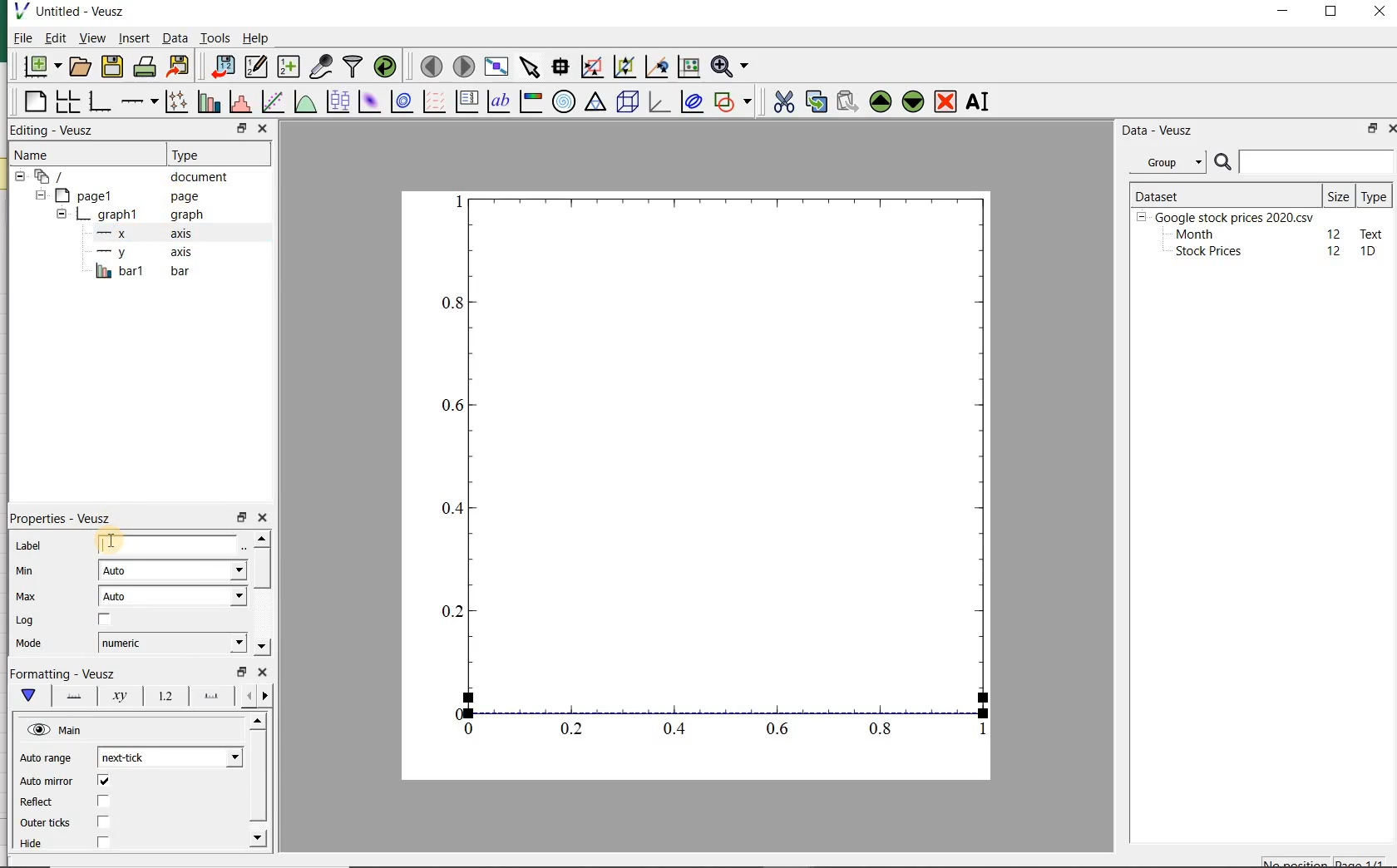 Image resolution: width=1397 pixels, height=868 pixels. What do you see at coordinates (31, 547) in the screenshot?
I see `Label` at bounding box center [31, 547].